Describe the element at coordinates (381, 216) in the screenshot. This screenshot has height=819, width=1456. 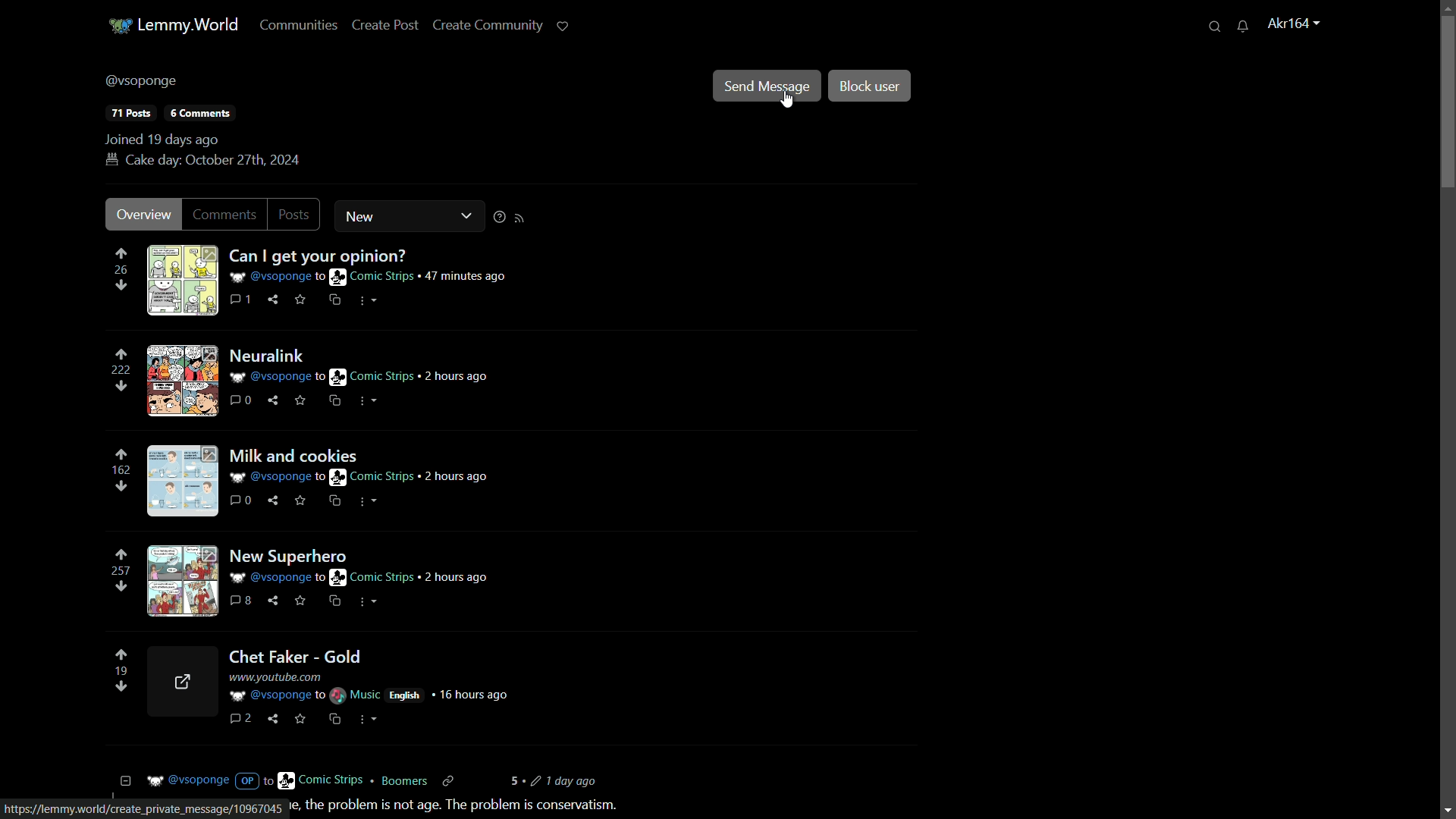
I see `new` at that location.